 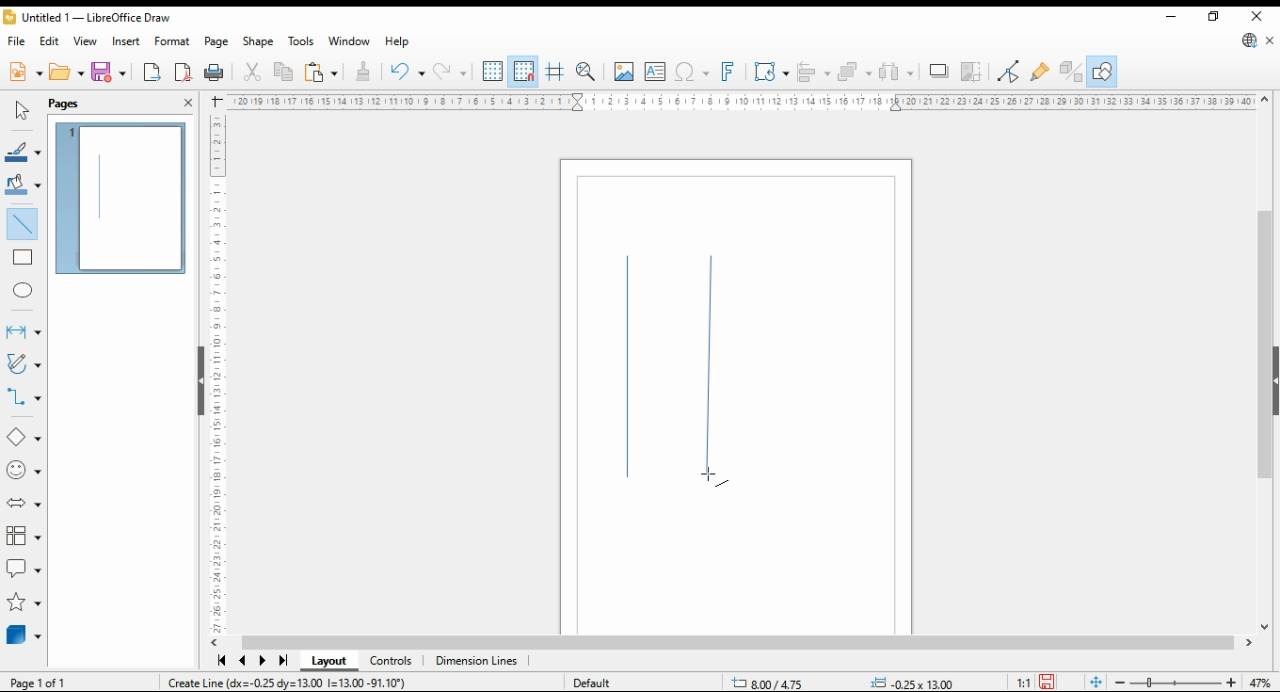 I want to click on show gluepoint functions, so click(x=1040, y=70).